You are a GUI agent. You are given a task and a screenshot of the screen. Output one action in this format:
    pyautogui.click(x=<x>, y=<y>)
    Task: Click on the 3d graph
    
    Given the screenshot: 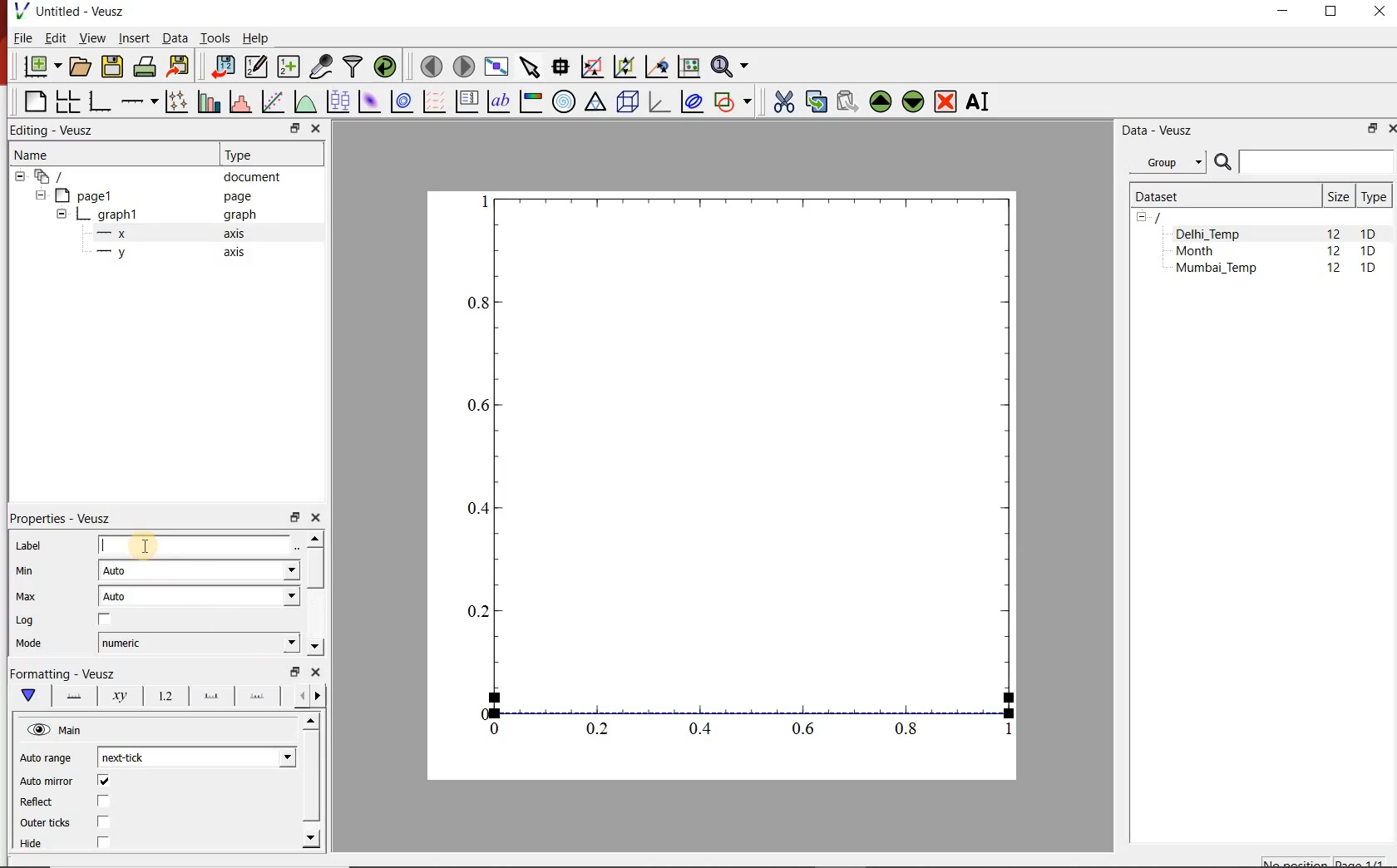 What is the action you would take?
    pyautogui.click(x=657, y=101)
    